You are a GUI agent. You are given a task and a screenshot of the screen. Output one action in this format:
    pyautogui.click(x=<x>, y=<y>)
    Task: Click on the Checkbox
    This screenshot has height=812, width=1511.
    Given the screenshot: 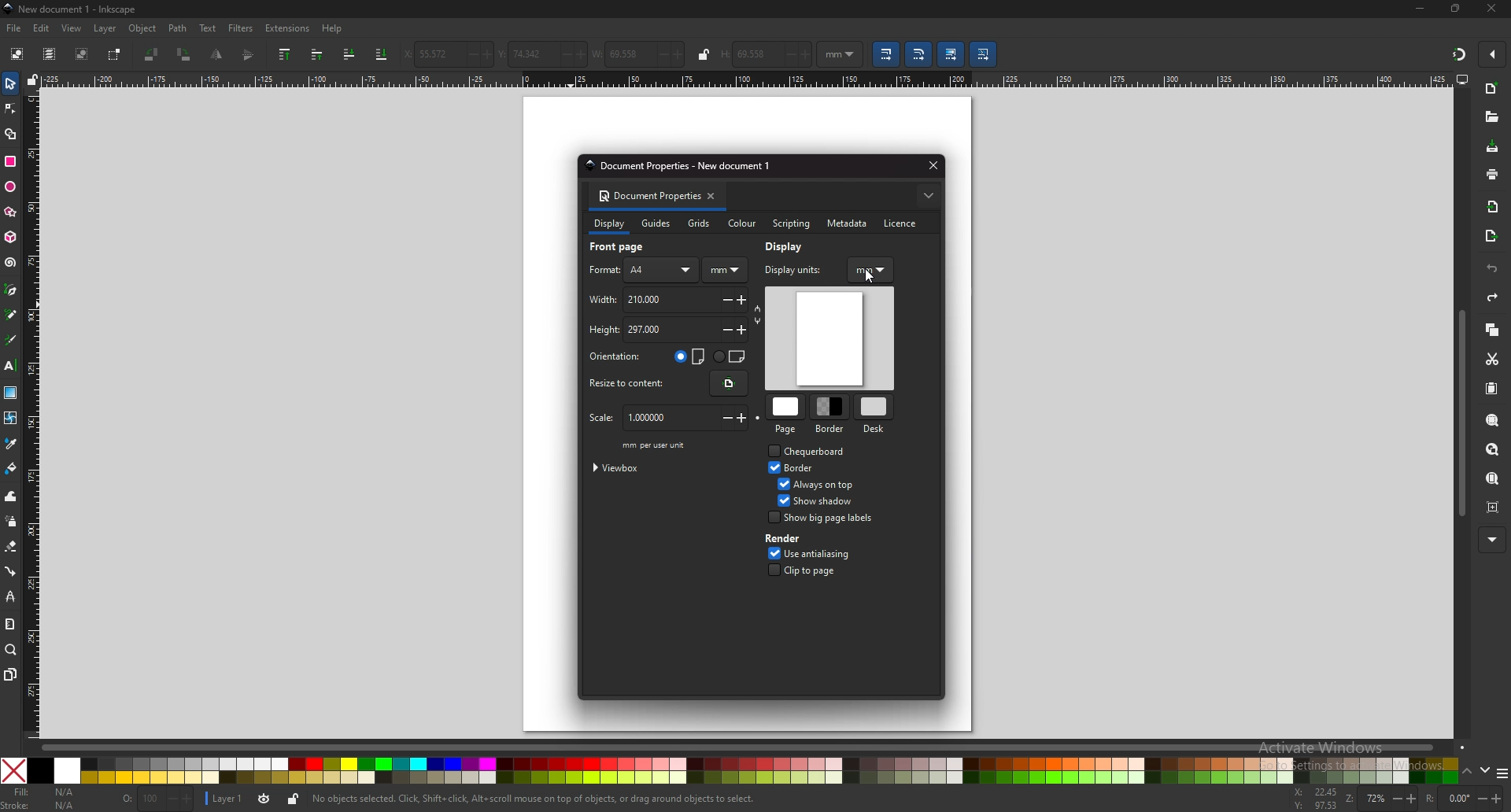 What is the action you would take?
    pyautogui.click(x=770, y=467)
    